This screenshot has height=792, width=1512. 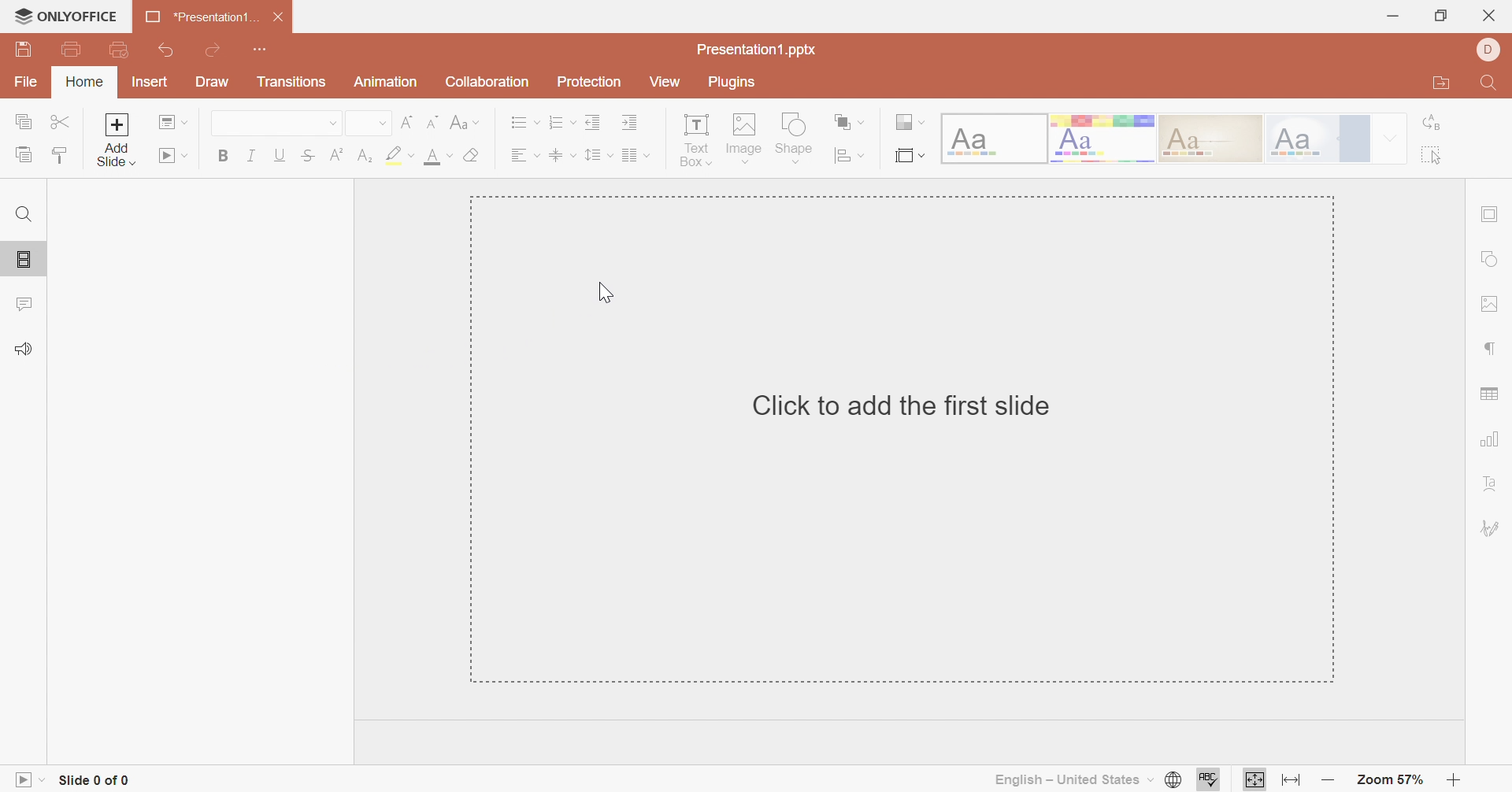 I want to click on Check spelling, so click(x=1210, y=779).